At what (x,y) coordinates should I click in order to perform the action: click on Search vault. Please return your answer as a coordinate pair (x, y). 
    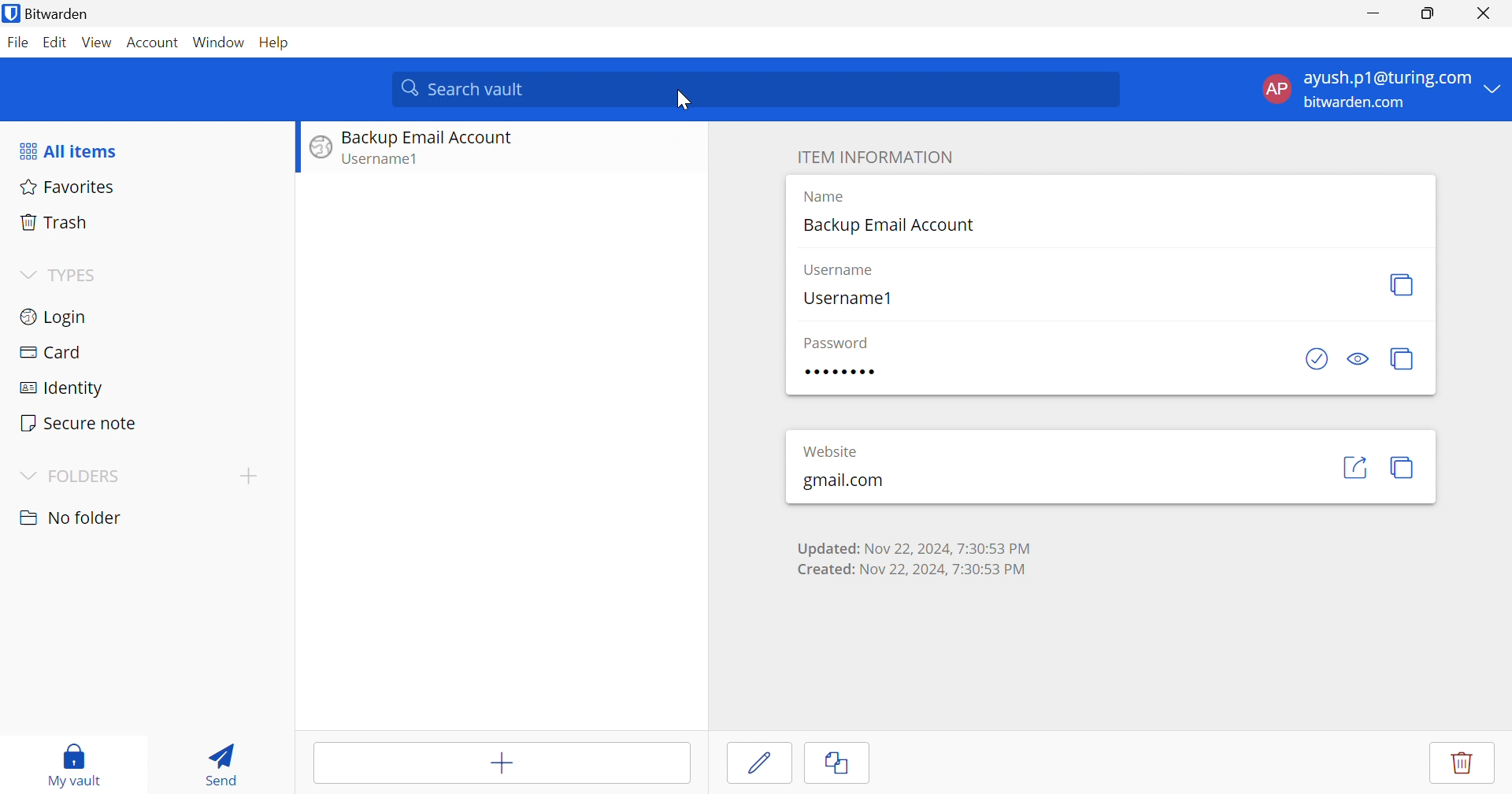
    Looking at the image, I should click on (759, 90).